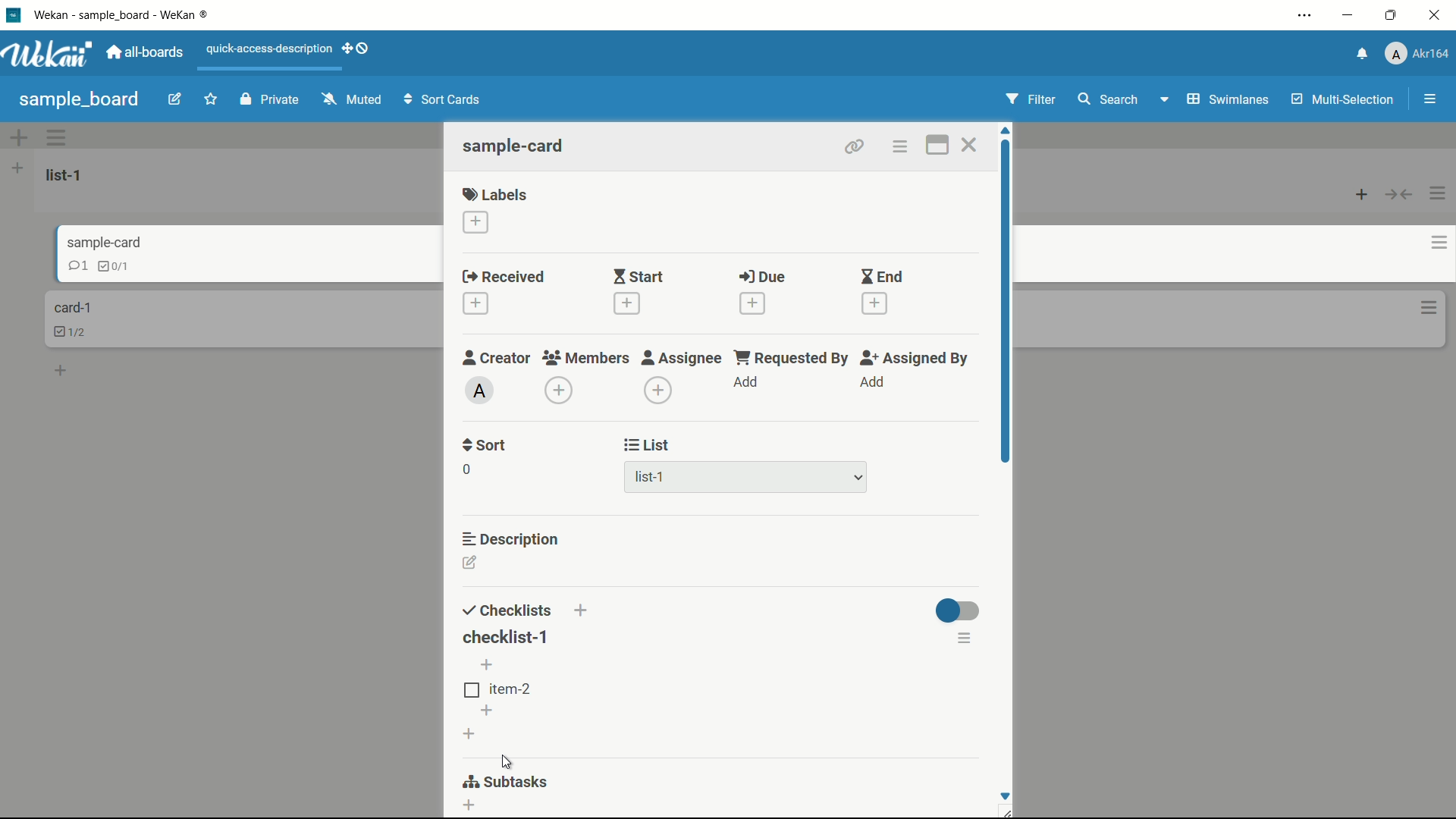 The width and height of the screenshot is (1456, 819). I want to click on open or close sidebar, so click(1429, 99).